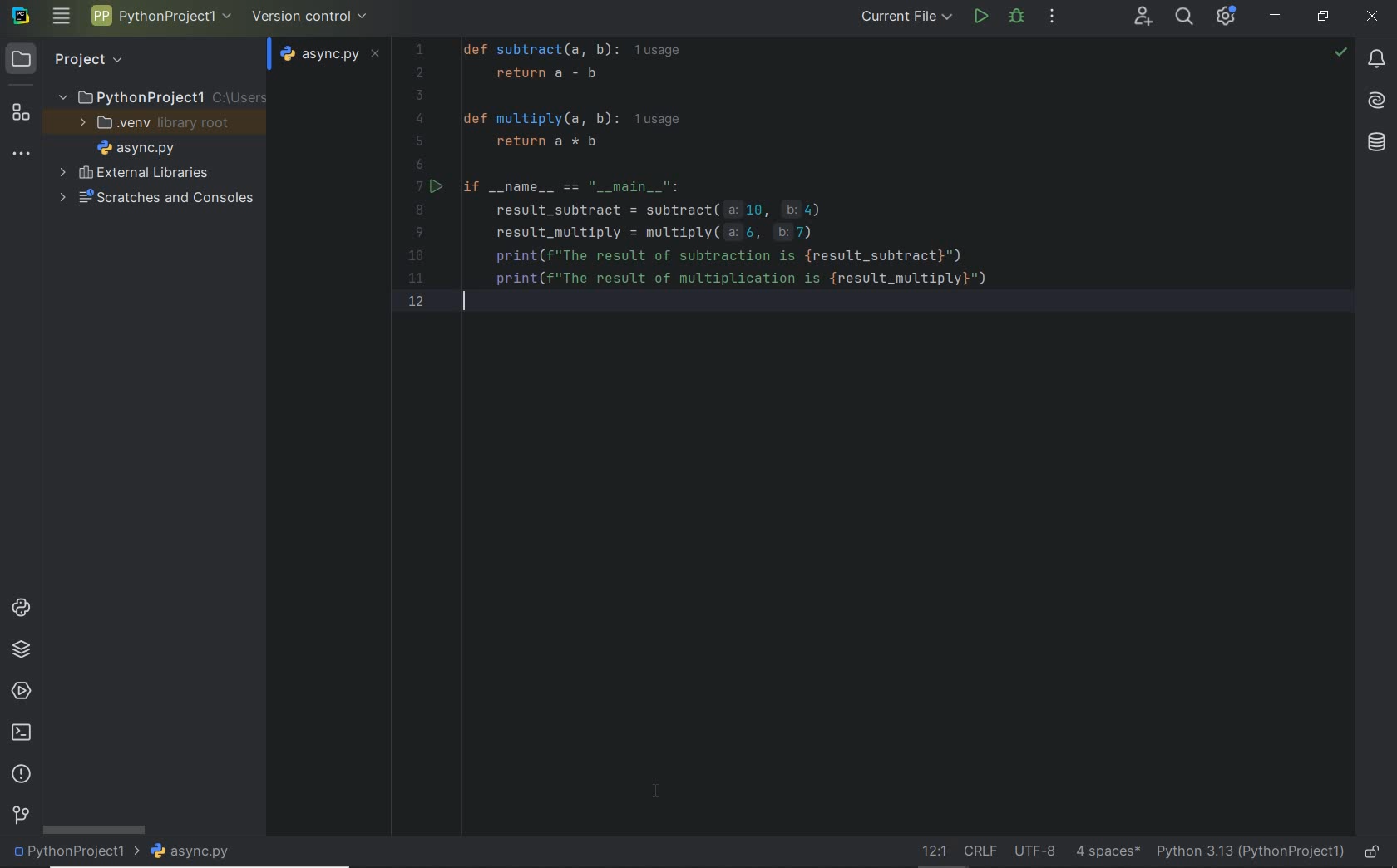  Describe the element at coordinates (19, 115) in the screenshot. I see `structure` at that location.